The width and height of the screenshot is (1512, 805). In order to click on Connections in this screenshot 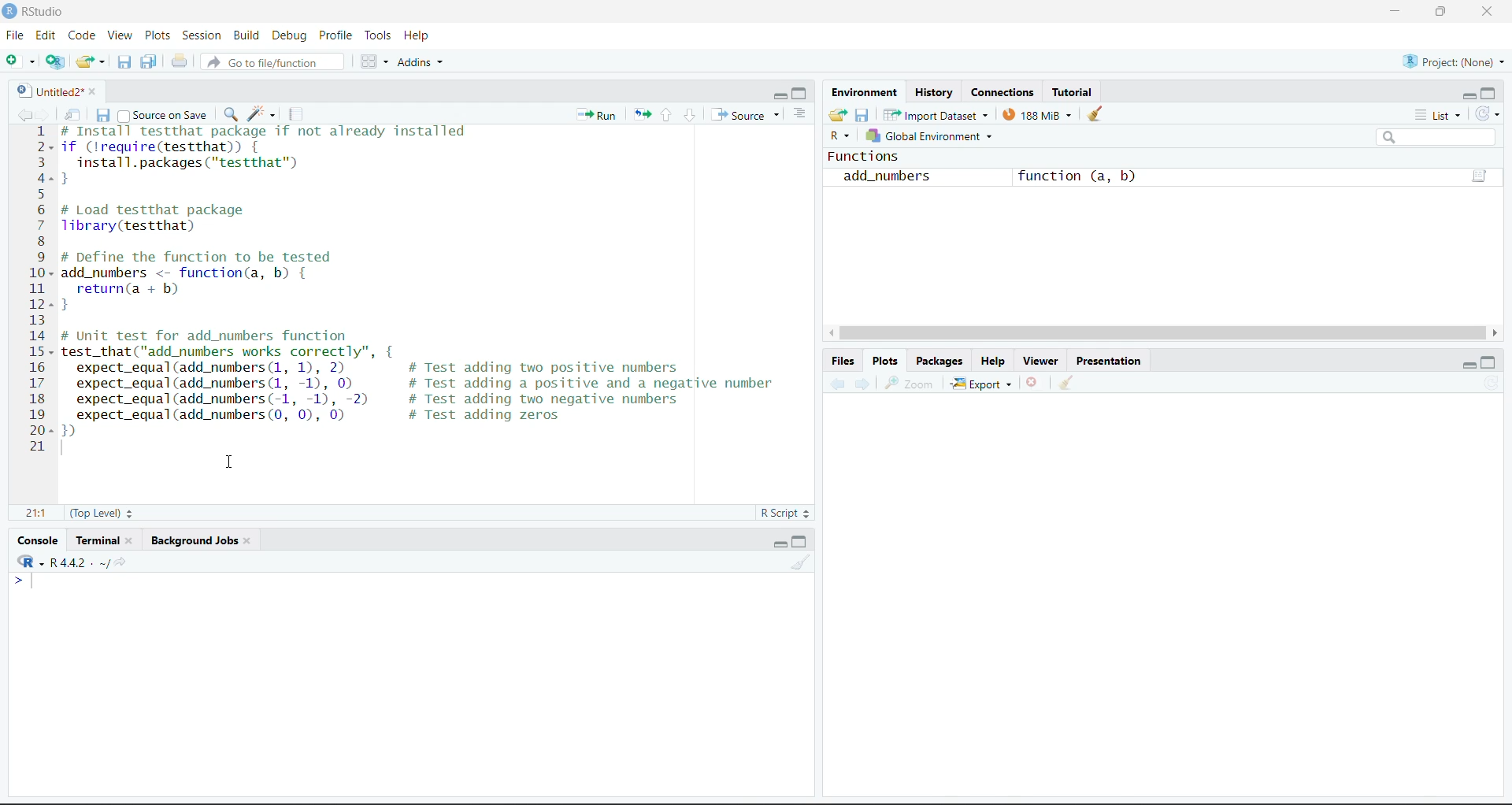, I will do `click(997, 91)`.